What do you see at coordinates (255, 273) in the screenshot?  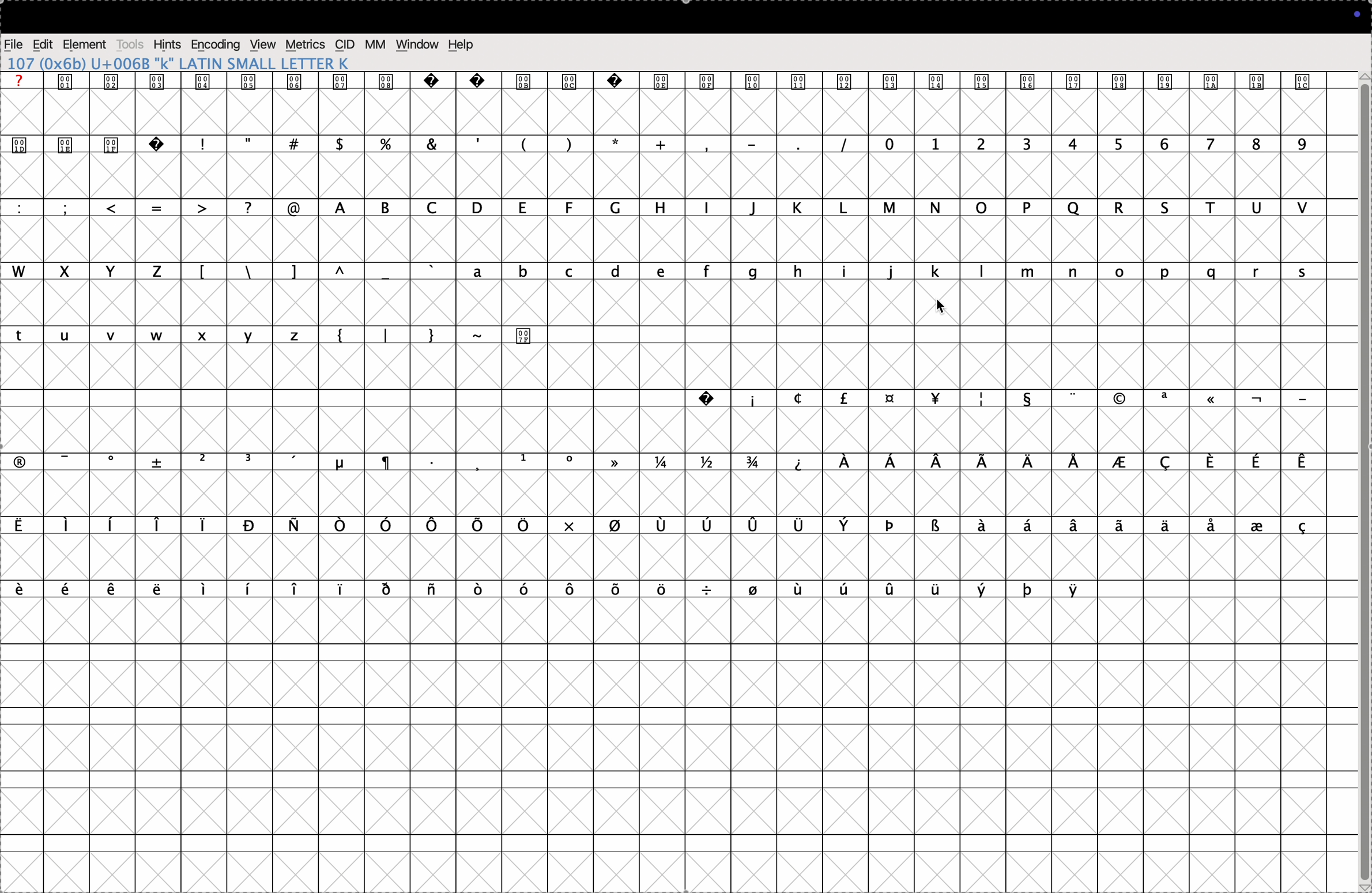 I see `/` at bounding box center [255, 273].